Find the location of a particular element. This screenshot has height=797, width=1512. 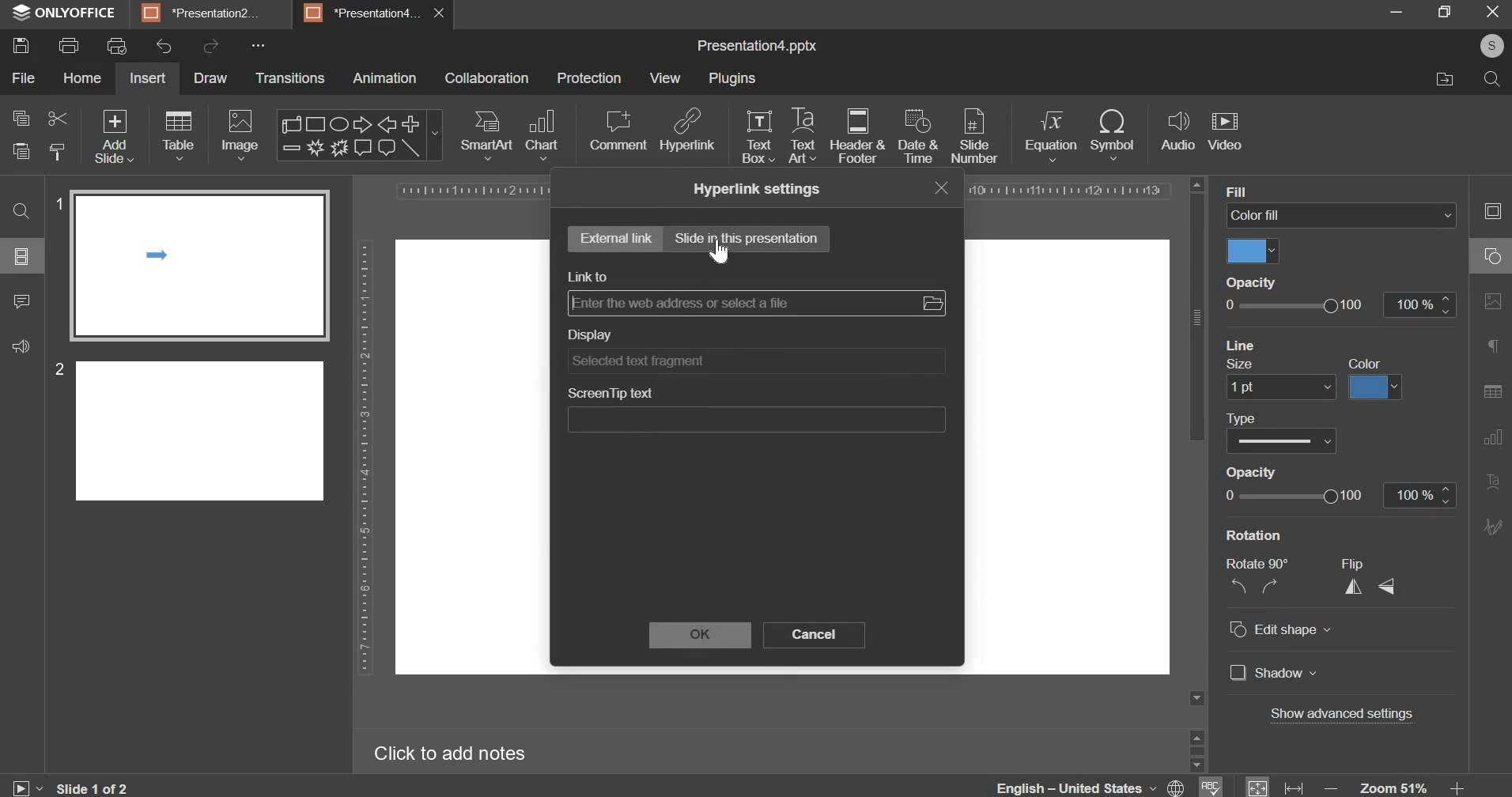

print preview is located at coordinates (117, 47).